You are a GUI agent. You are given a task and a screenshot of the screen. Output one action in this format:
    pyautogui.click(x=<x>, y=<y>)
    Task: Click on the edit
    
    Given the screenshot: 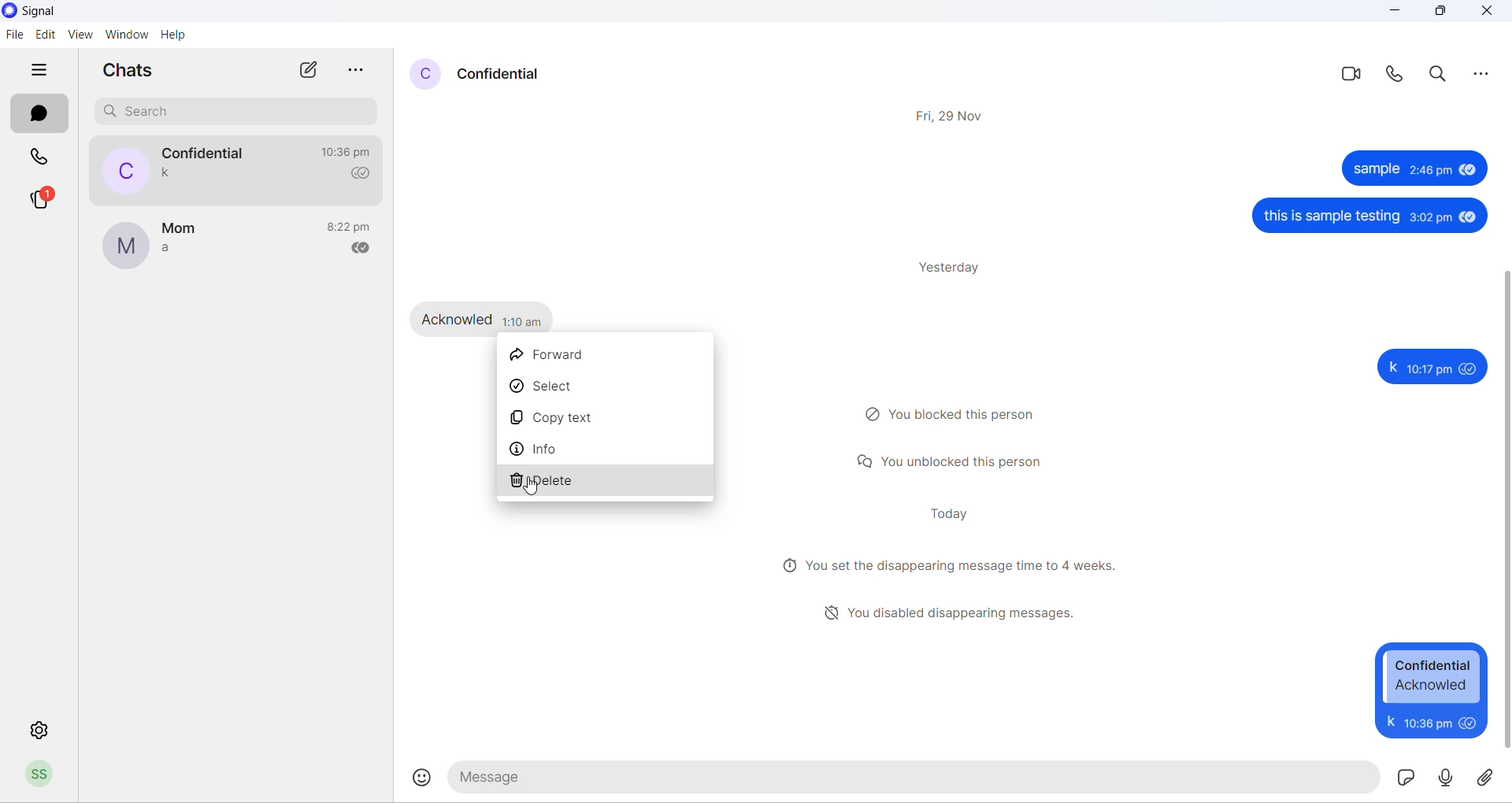 What is the action you would take?
    pyautogui.click(x=45, y=35)
    